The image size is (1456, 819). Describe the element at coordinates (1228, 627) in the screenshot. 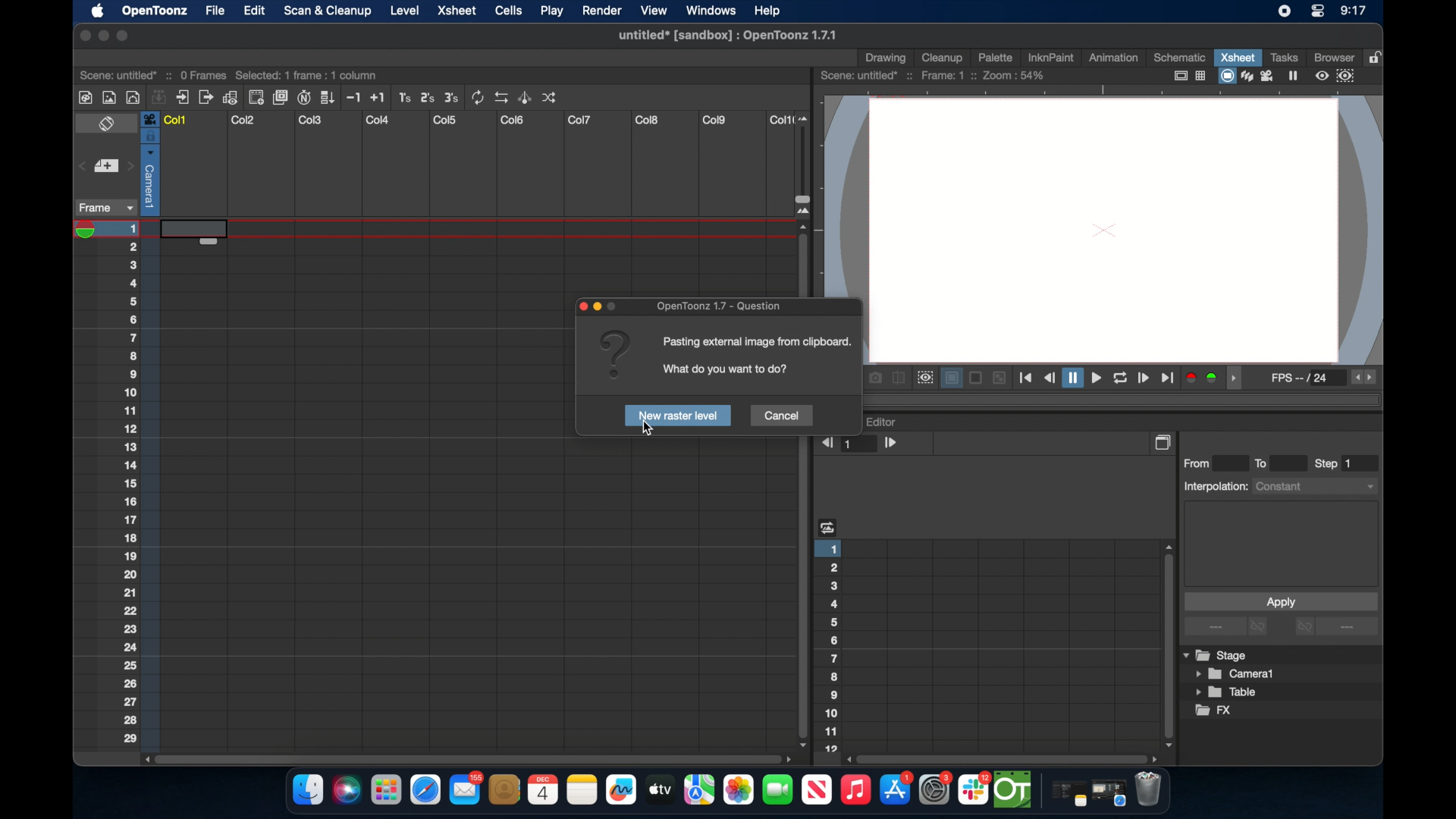

I see `more  options` at that location.